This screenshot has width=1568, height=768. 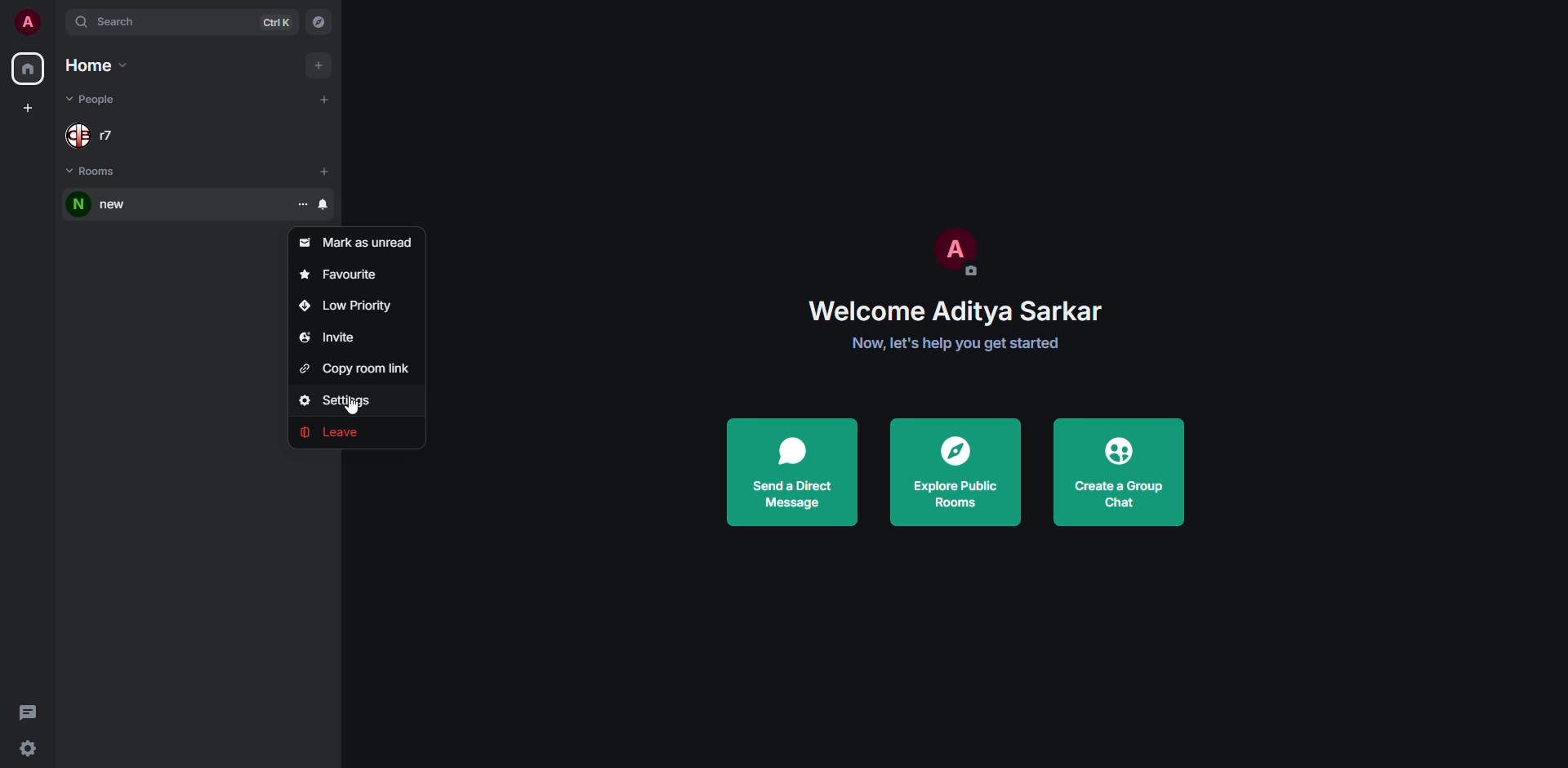 I want to click on explore public rooms, so click(x=953, y=471).